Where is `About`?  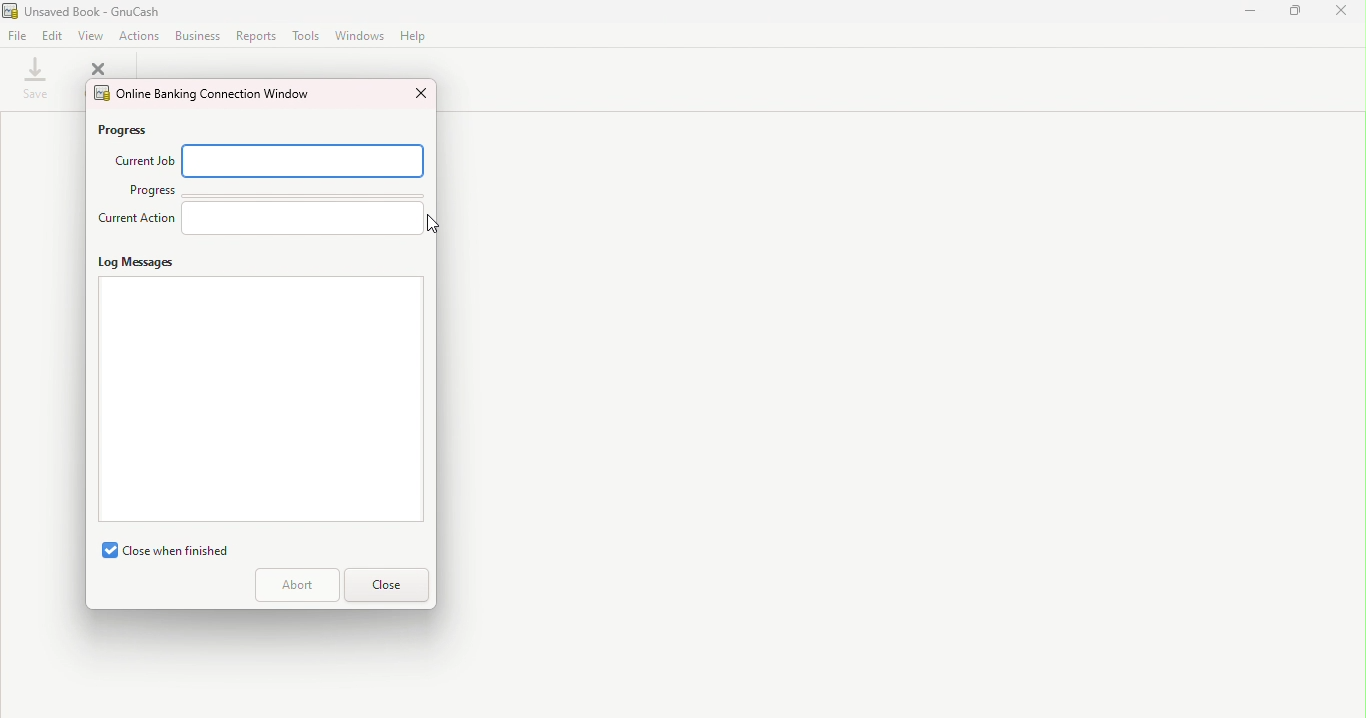
About is located at coordinates (294, 587).